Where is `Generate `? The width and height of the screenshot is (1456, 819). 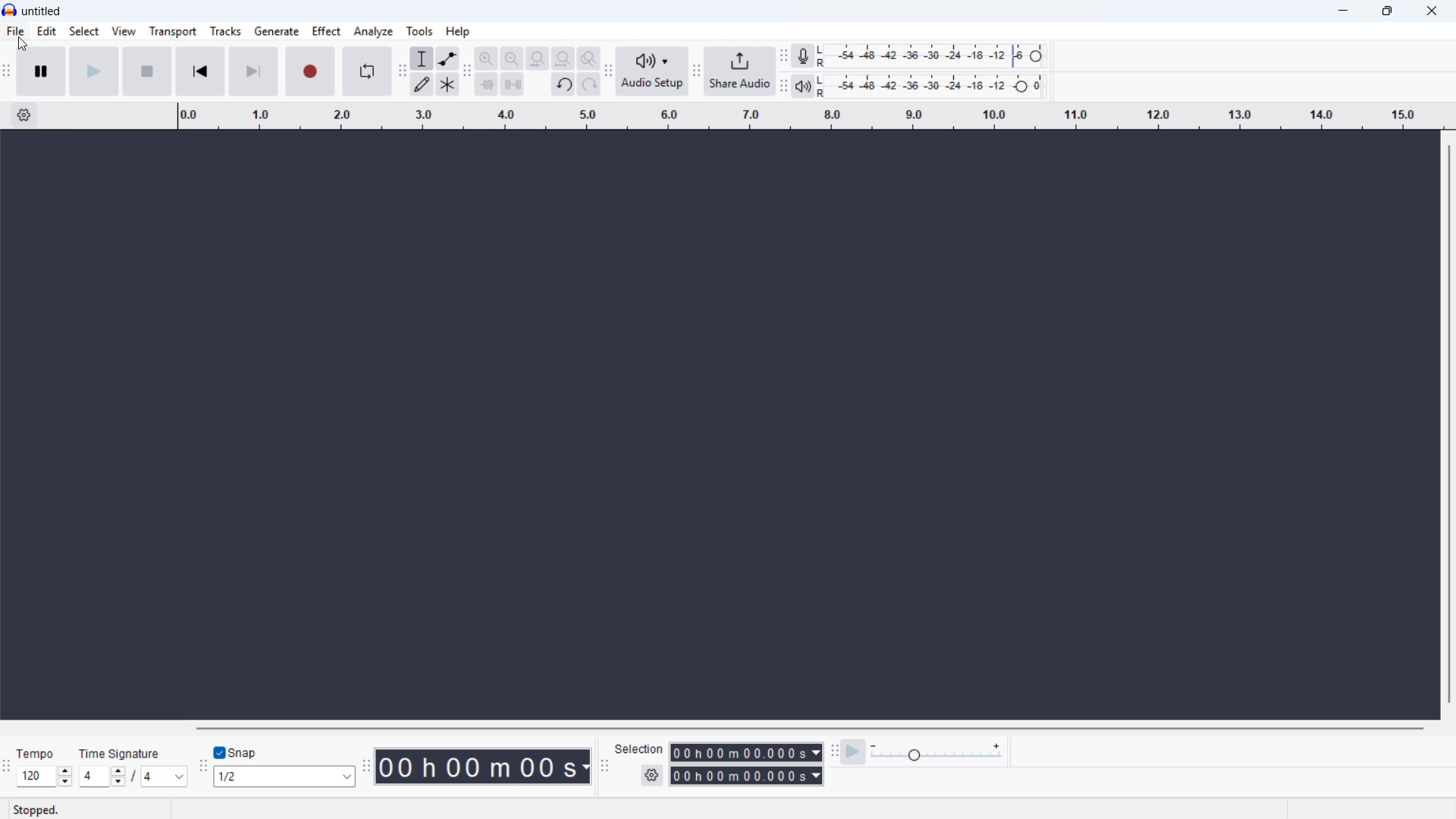 Generate  is located at coordinates (276, 31).